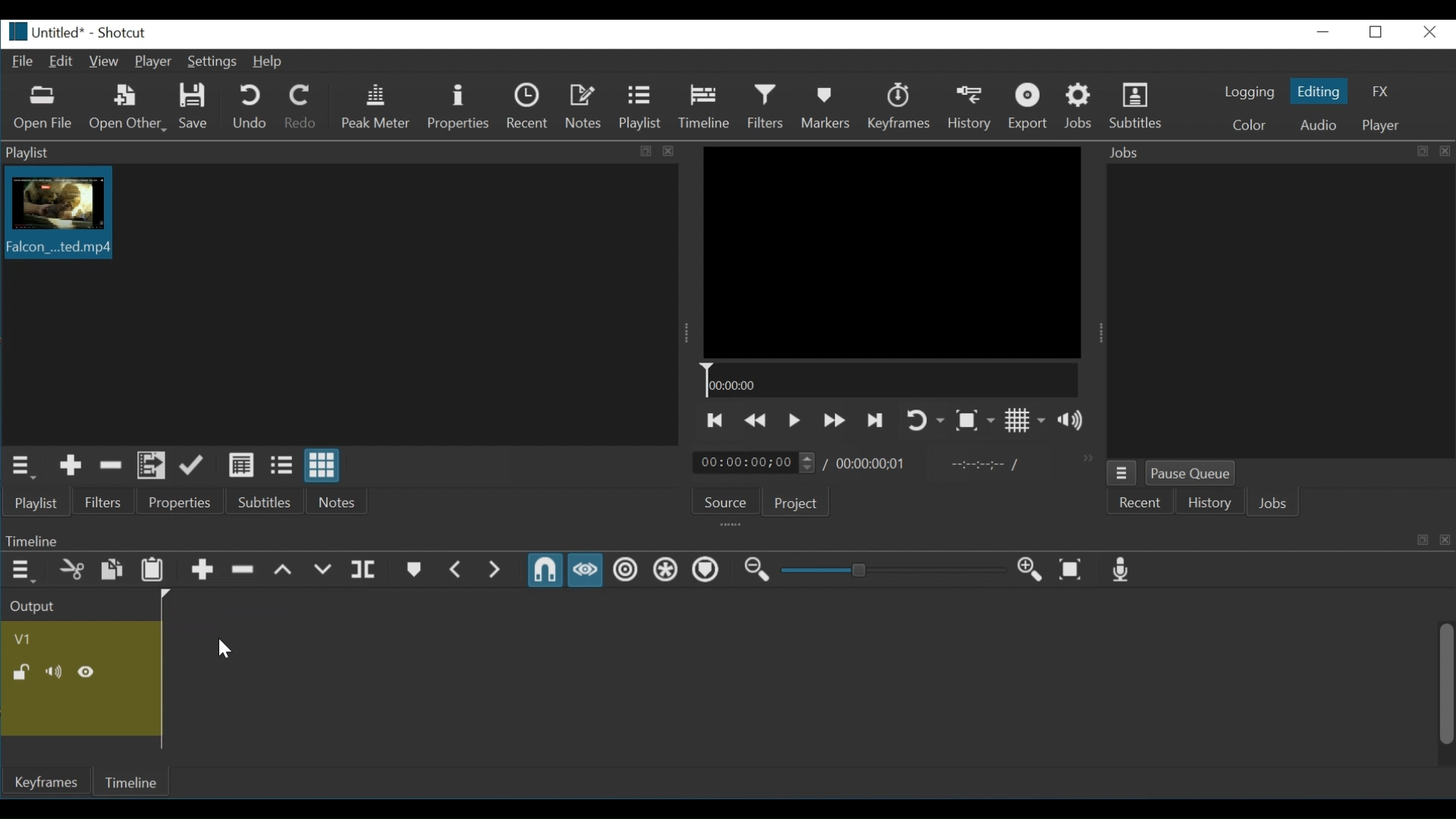 This screenshot has width=1456, height=819. What do you see at coordinates (111, 466) in the screenshot?
I see `Remove cut` at bounding box center [111, 466].